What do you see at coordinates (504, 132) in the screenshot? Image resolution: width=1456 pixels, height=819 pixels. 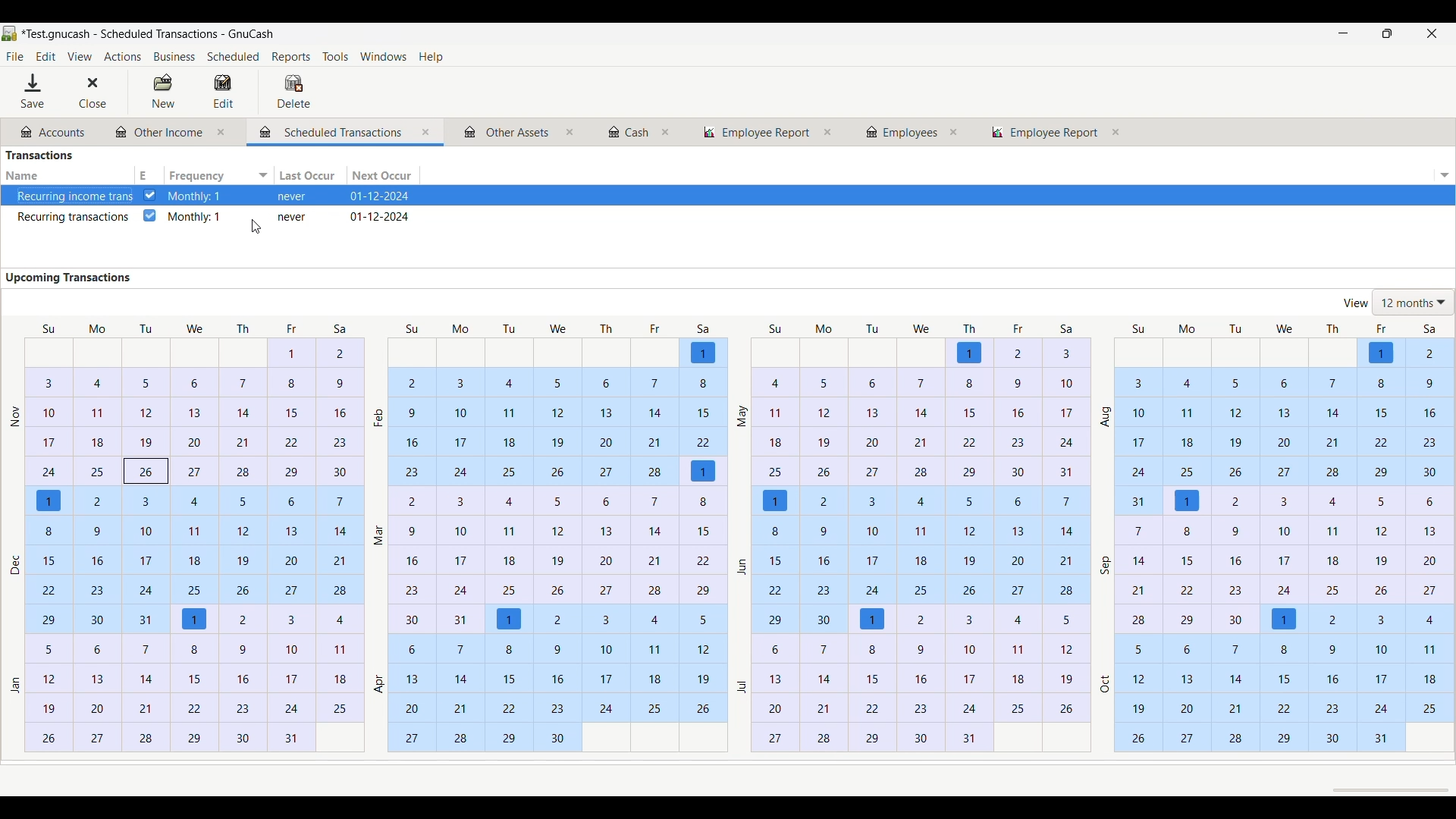 I see `other assets` at bounding box center [504, 132].